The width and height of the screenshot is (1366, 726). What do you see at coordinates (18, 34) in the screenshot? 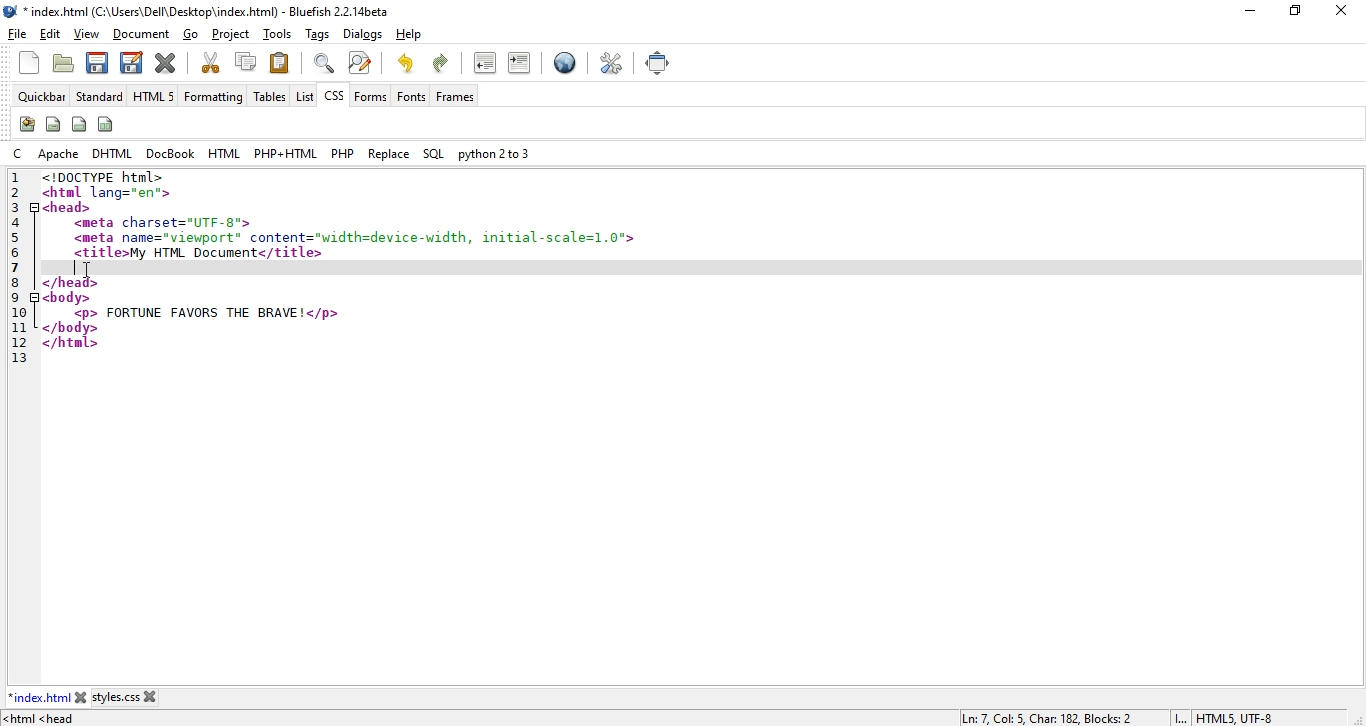
I see `file` at bounding box center [18, 34].